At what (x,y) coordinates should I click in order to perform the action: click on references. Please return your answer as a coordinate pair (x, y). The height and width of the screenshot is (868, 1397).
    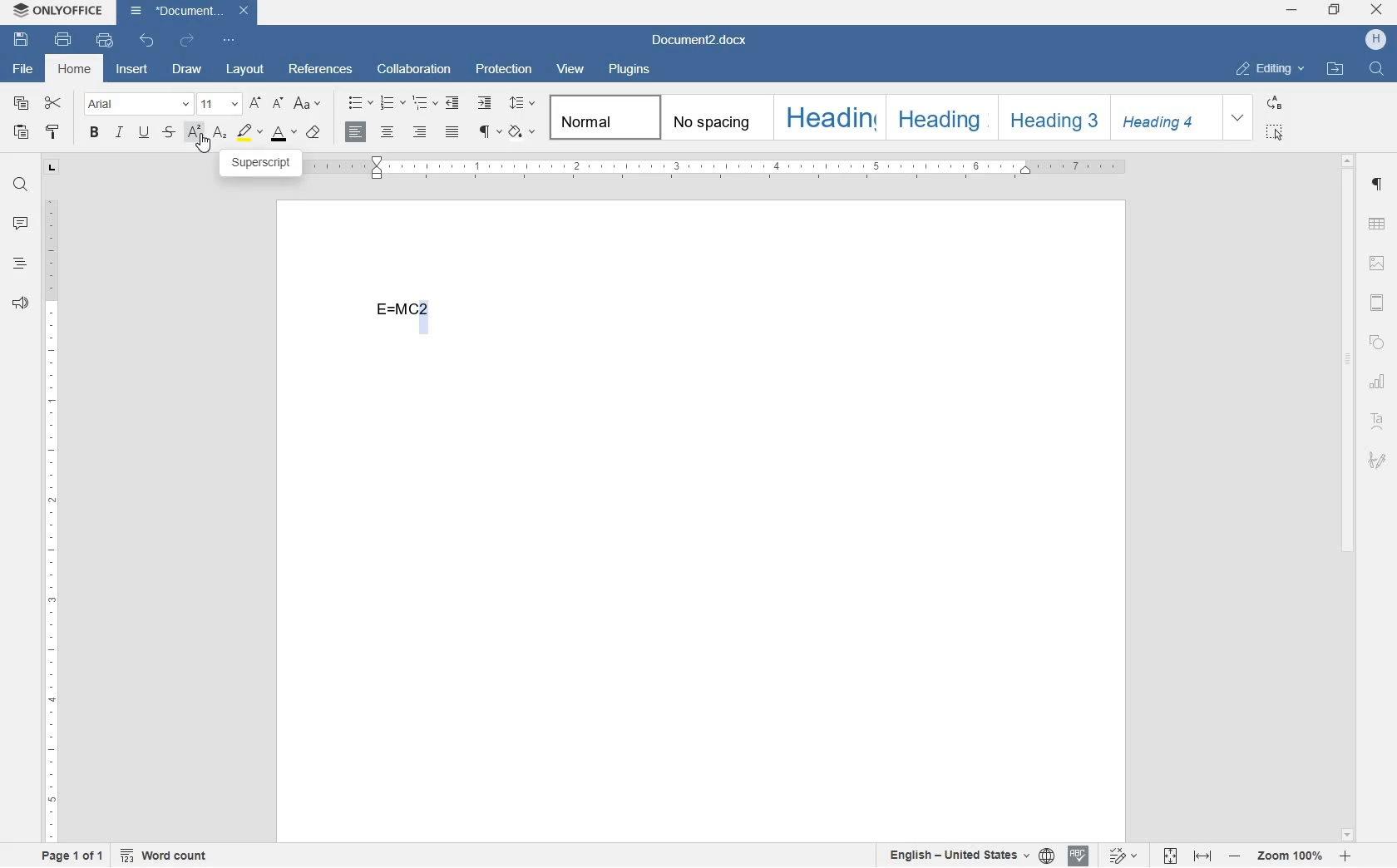
    Looking at the image, I should click on (323, 68).